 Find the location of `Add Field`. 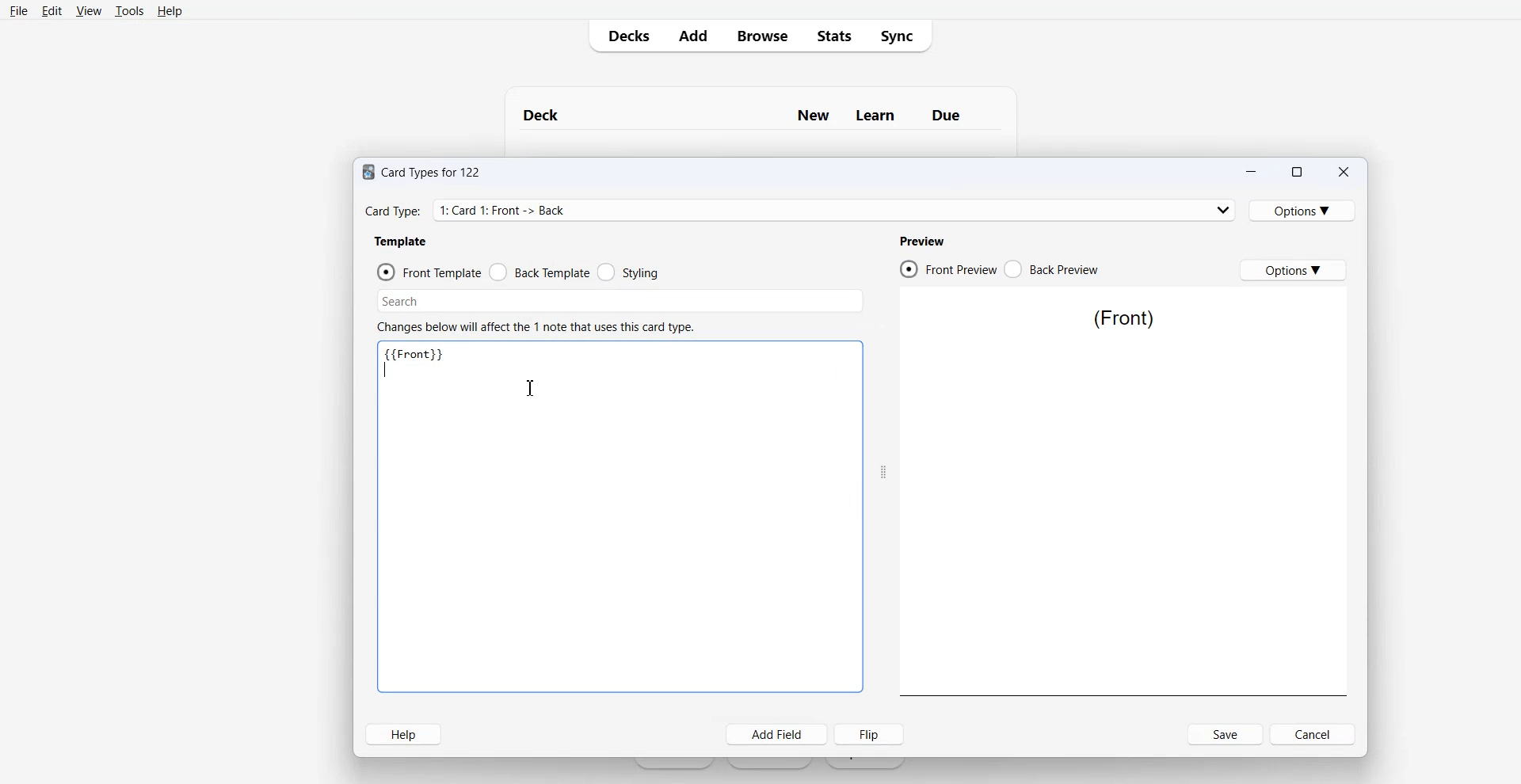

Add Field is located at coordinates (778, 734).